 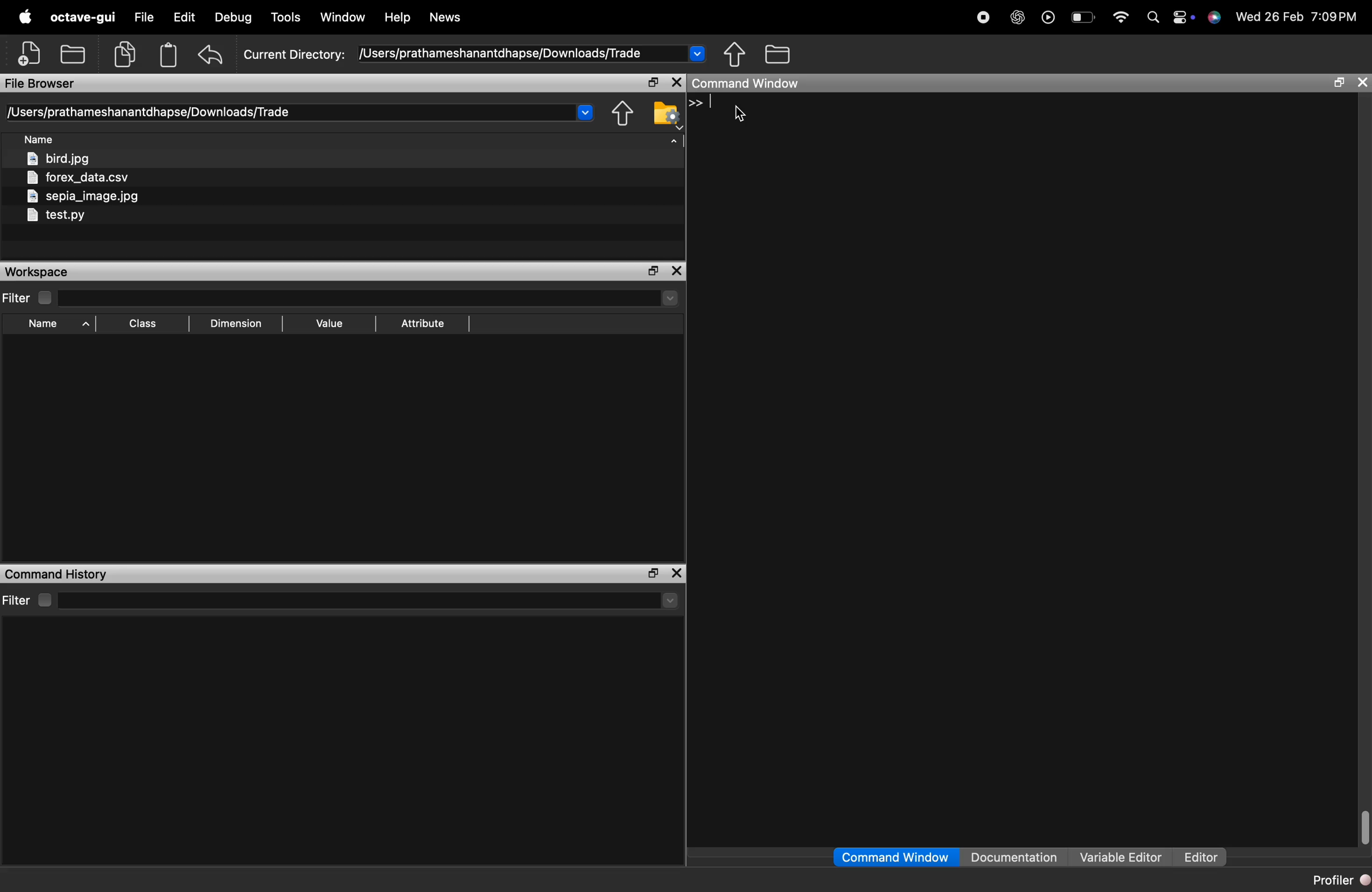 What do you see at coordinates (1218, 20) in the screenshot?
I see `support` at bounding box center [1218, 20].